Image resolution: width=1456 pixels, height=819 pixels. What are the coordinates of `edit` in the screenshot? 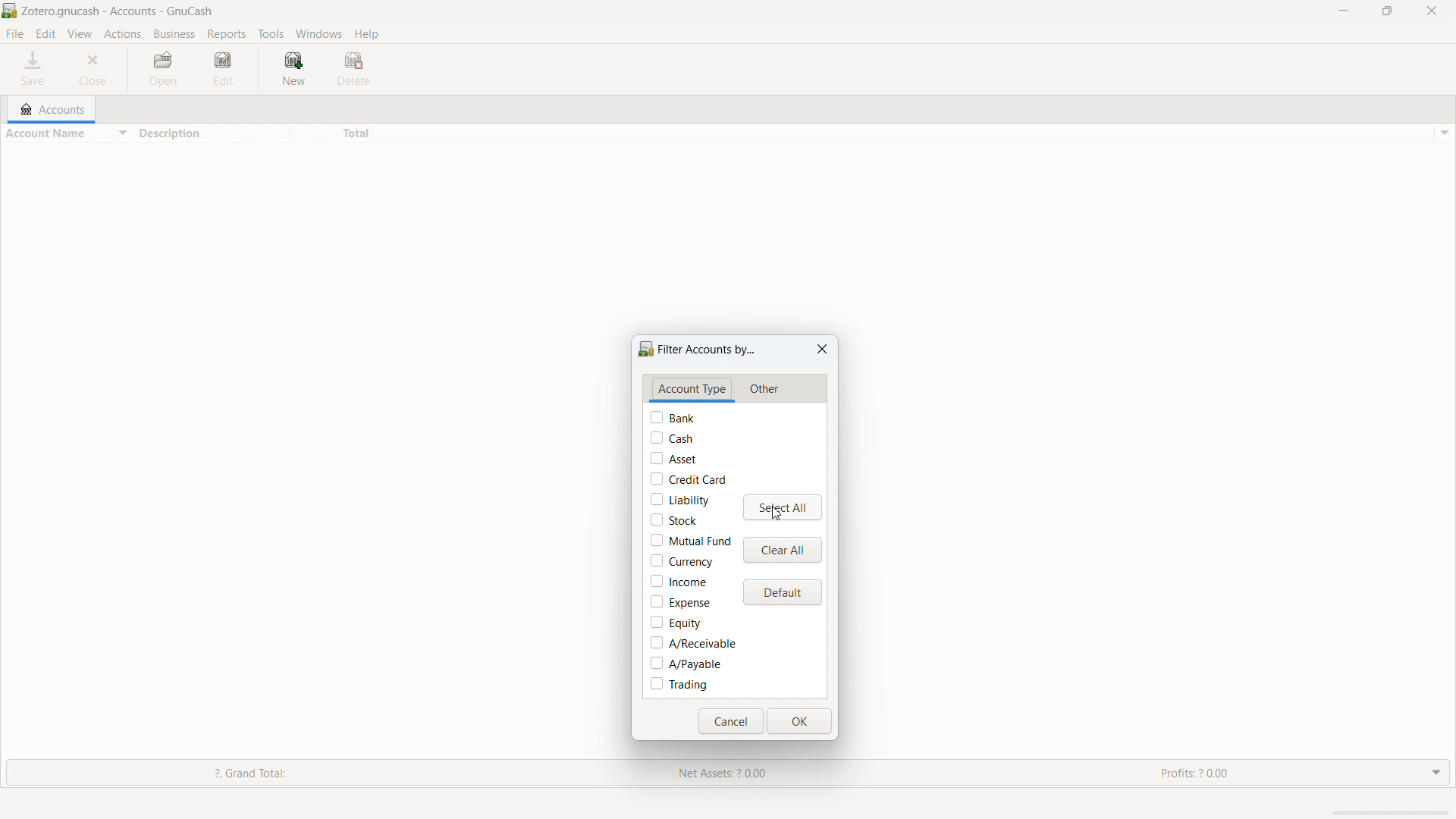 It's located at (46, 33).